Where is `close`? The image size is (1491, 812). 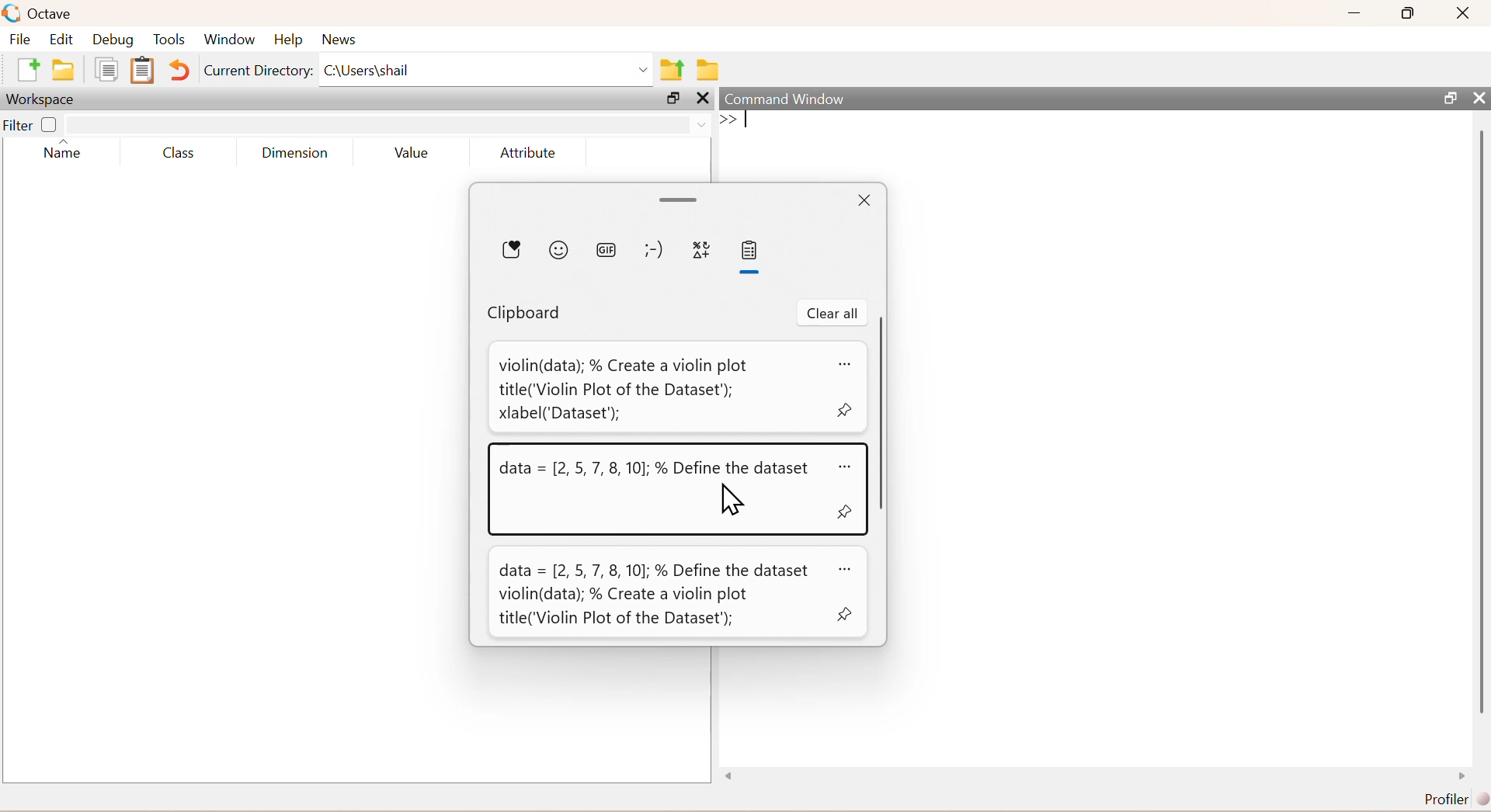 close is located at coordinates (1465, 12).